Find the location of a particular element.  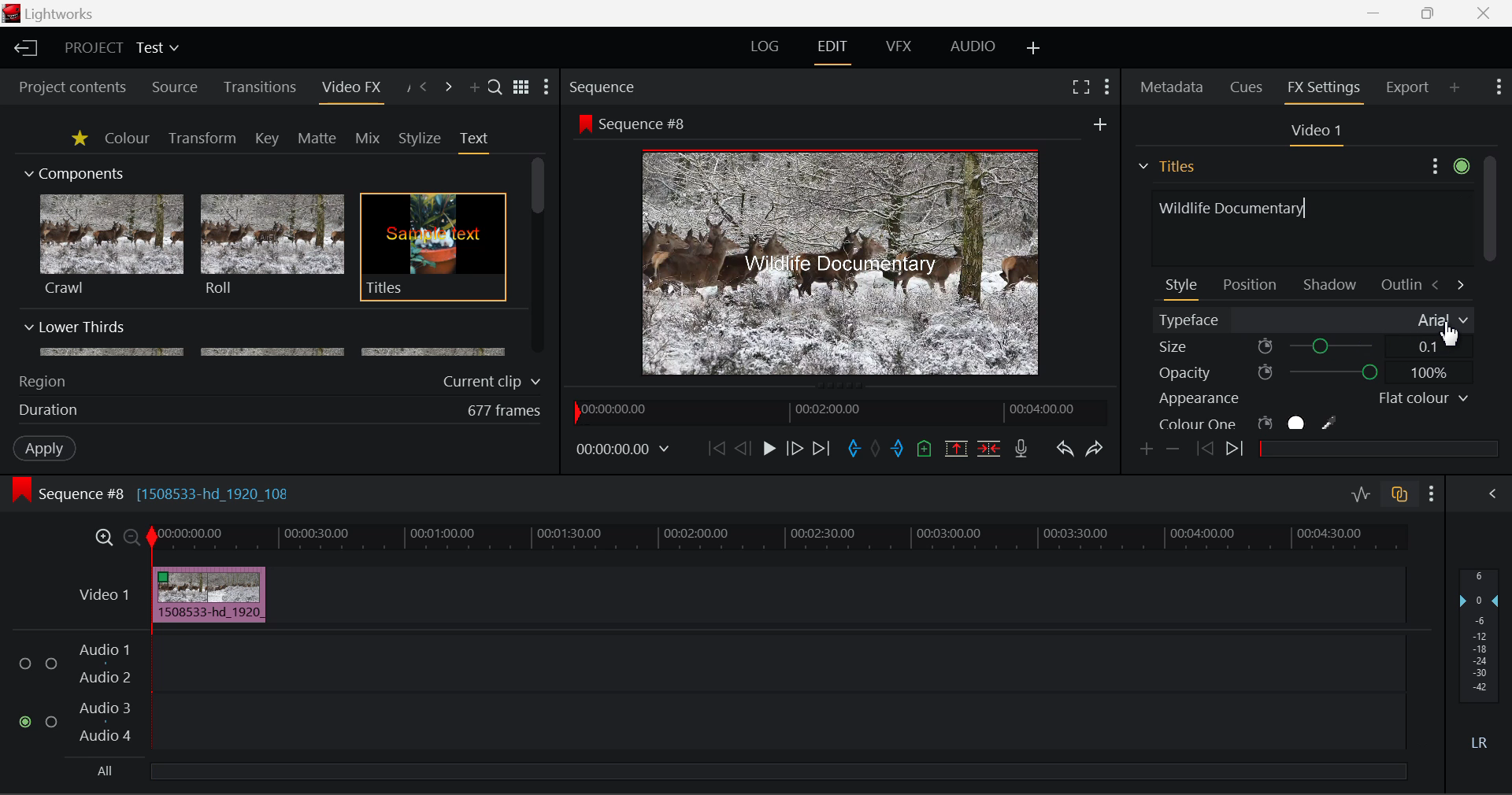

Transitions is located at coordinates (260, 87).